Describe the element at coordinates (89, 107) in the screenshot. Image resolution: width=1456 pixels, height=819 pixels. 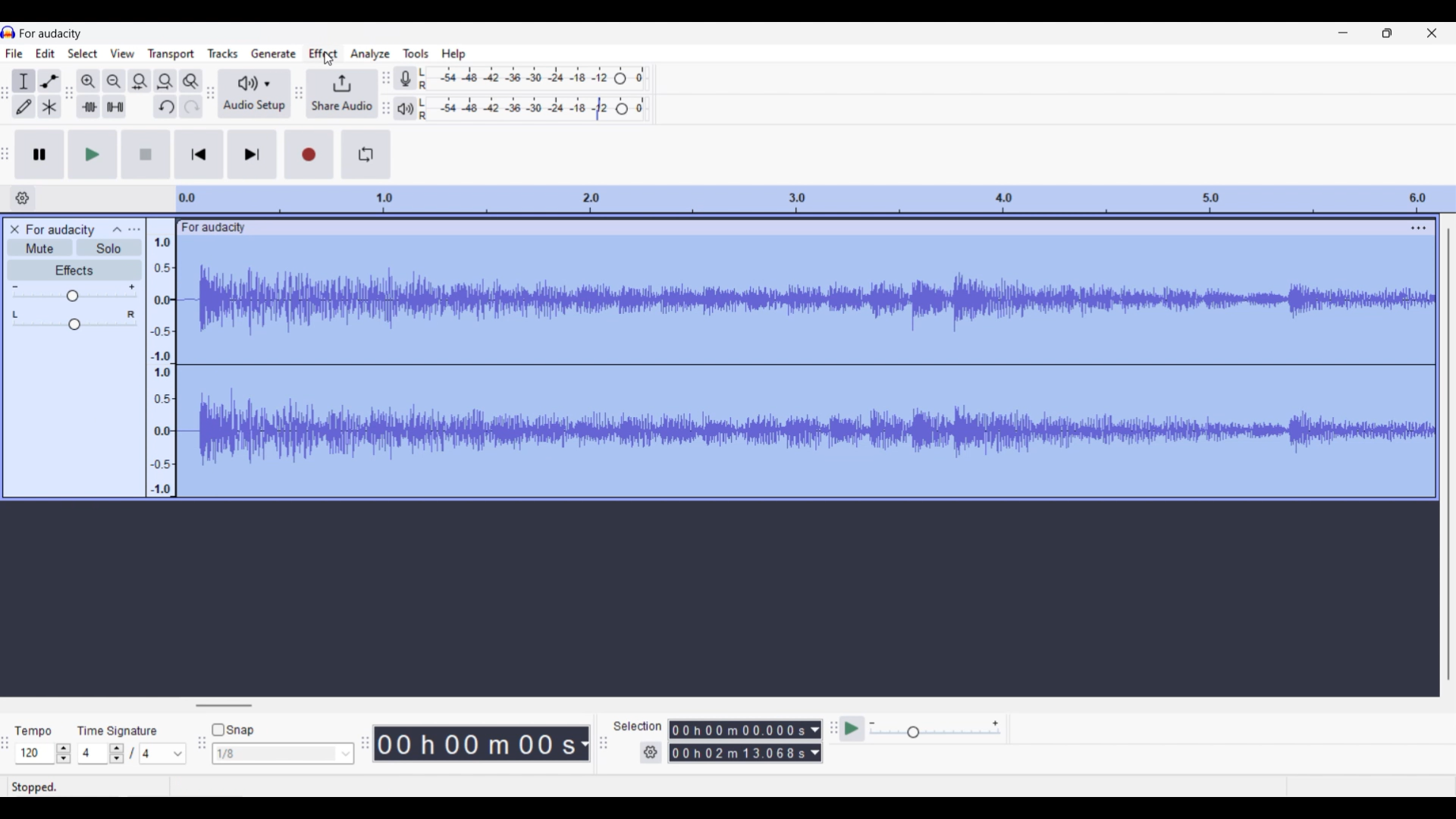
I see `Trim audio outside selection` at that location.